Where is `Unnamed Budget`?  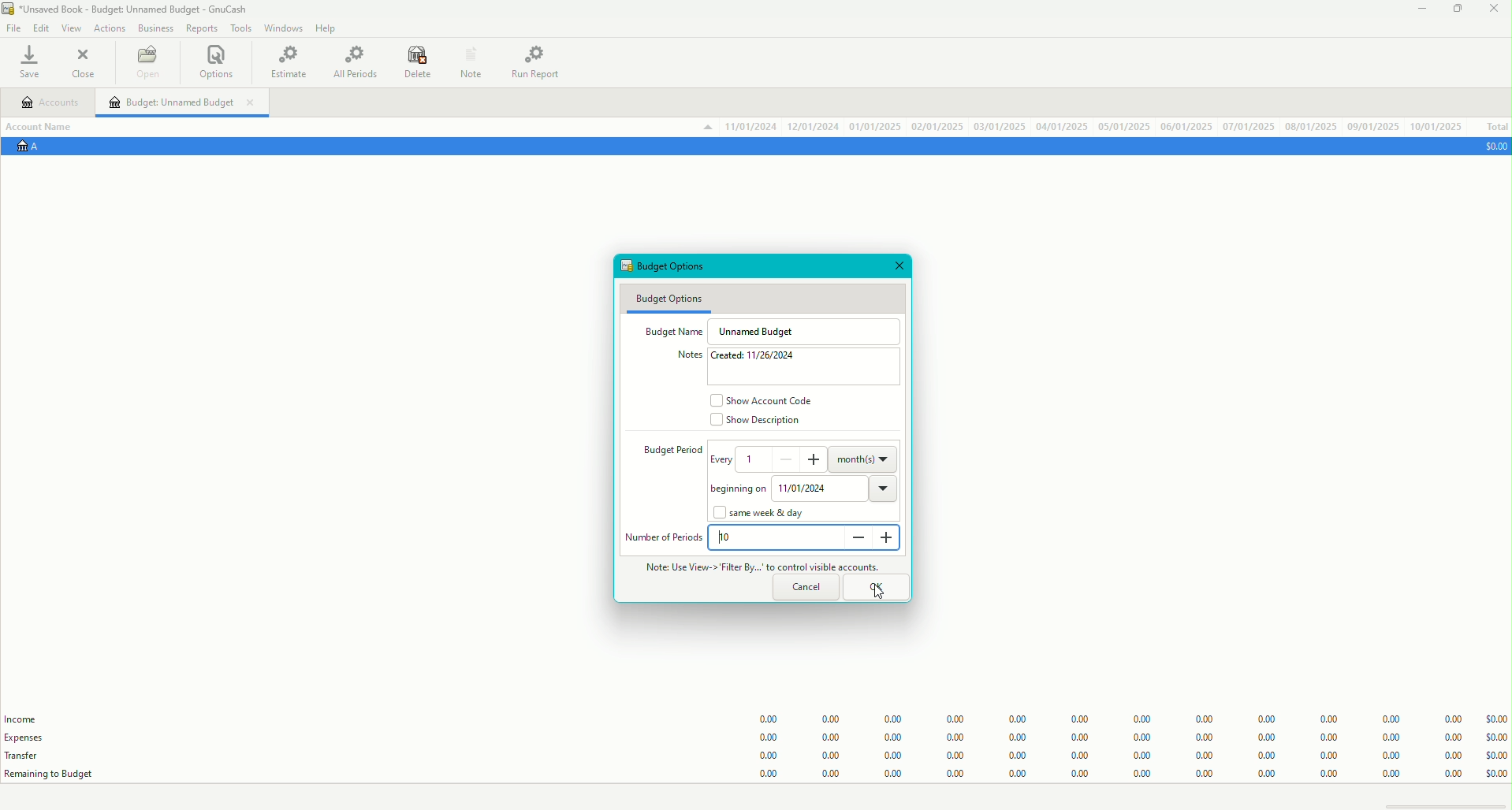
Unnamed Budget is located at coordinates (184, 102).